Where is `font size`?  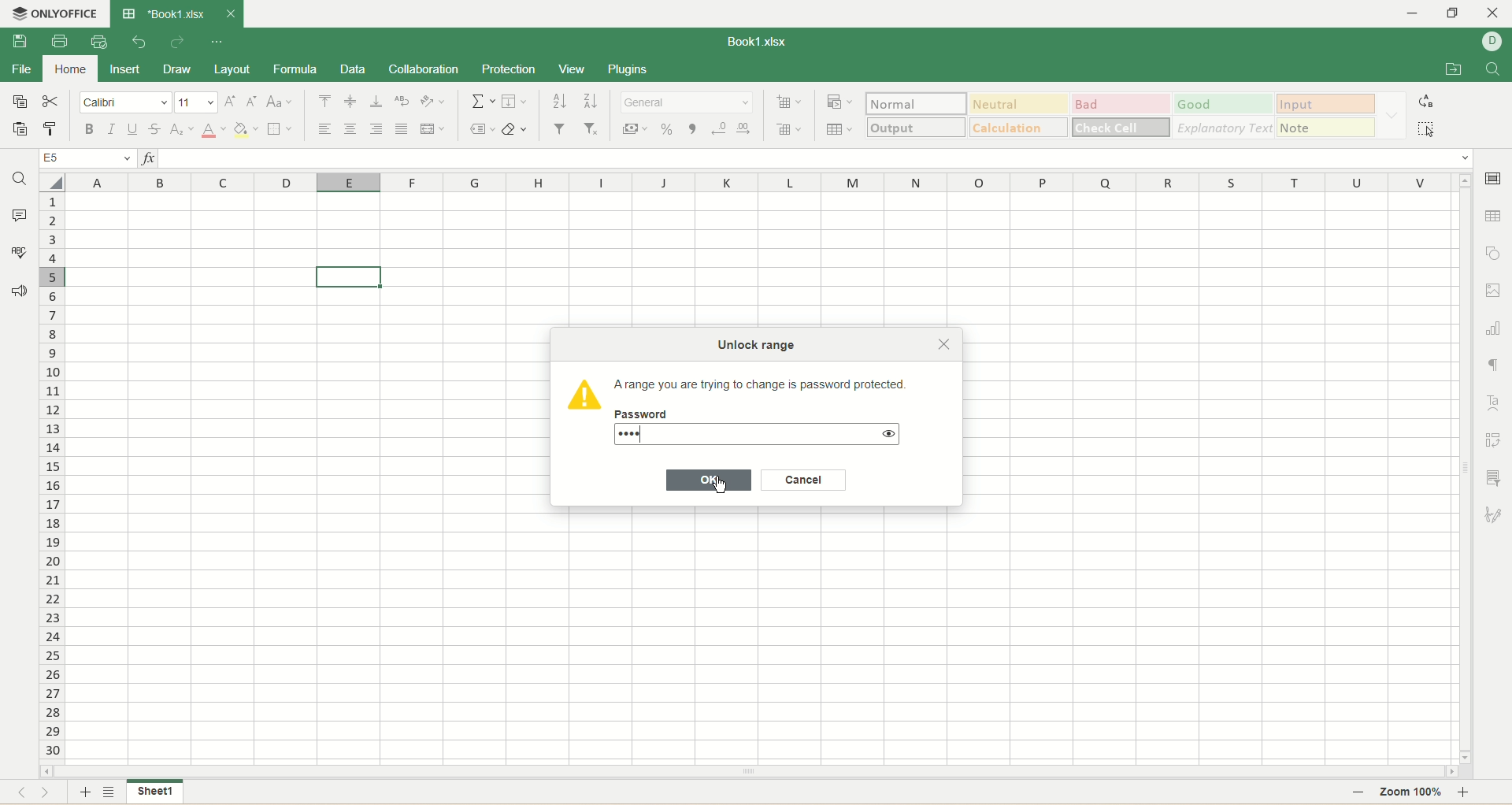 font size is located at coordinates (197, 102).